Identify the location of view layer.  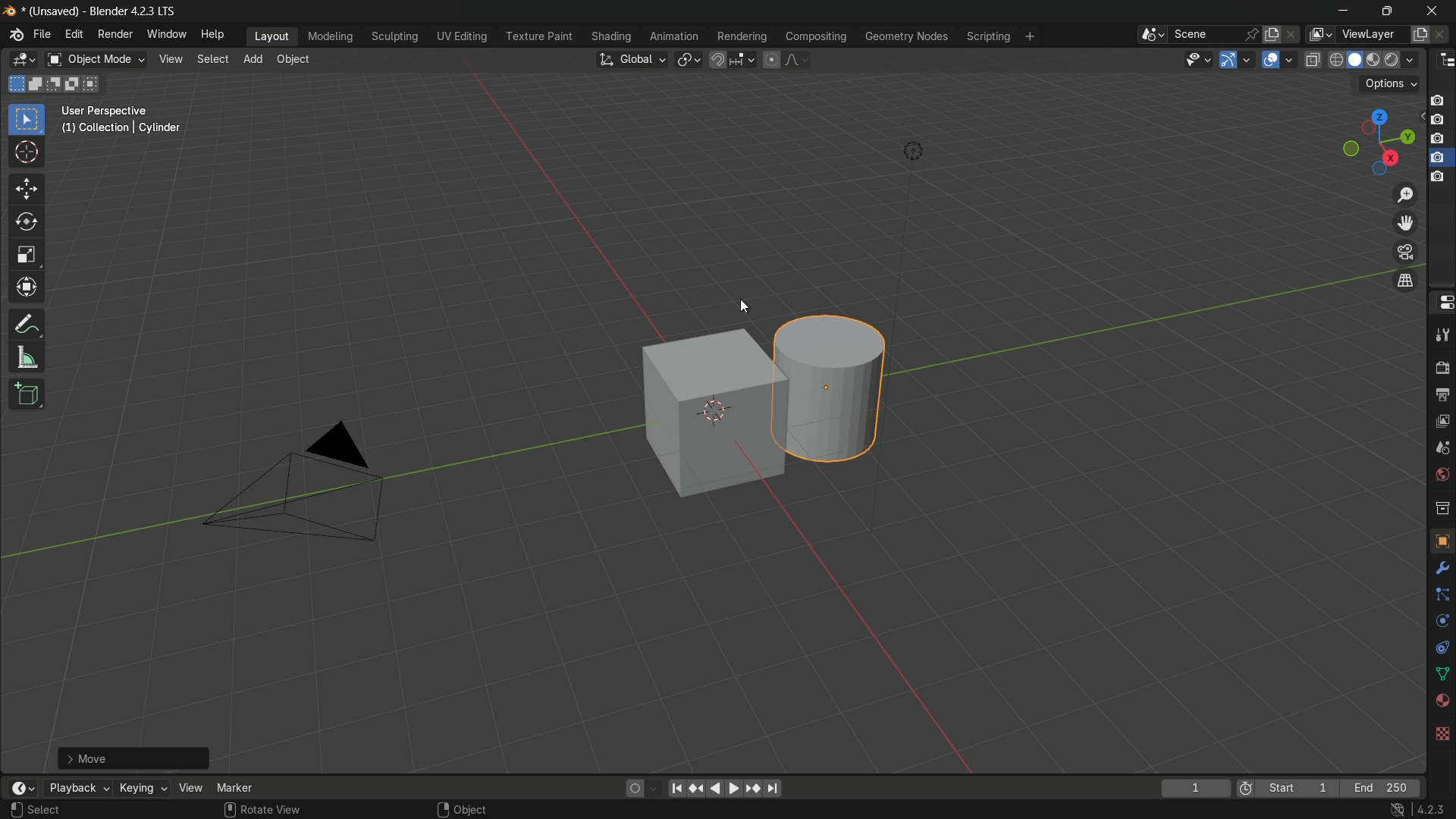
(1318, 34).